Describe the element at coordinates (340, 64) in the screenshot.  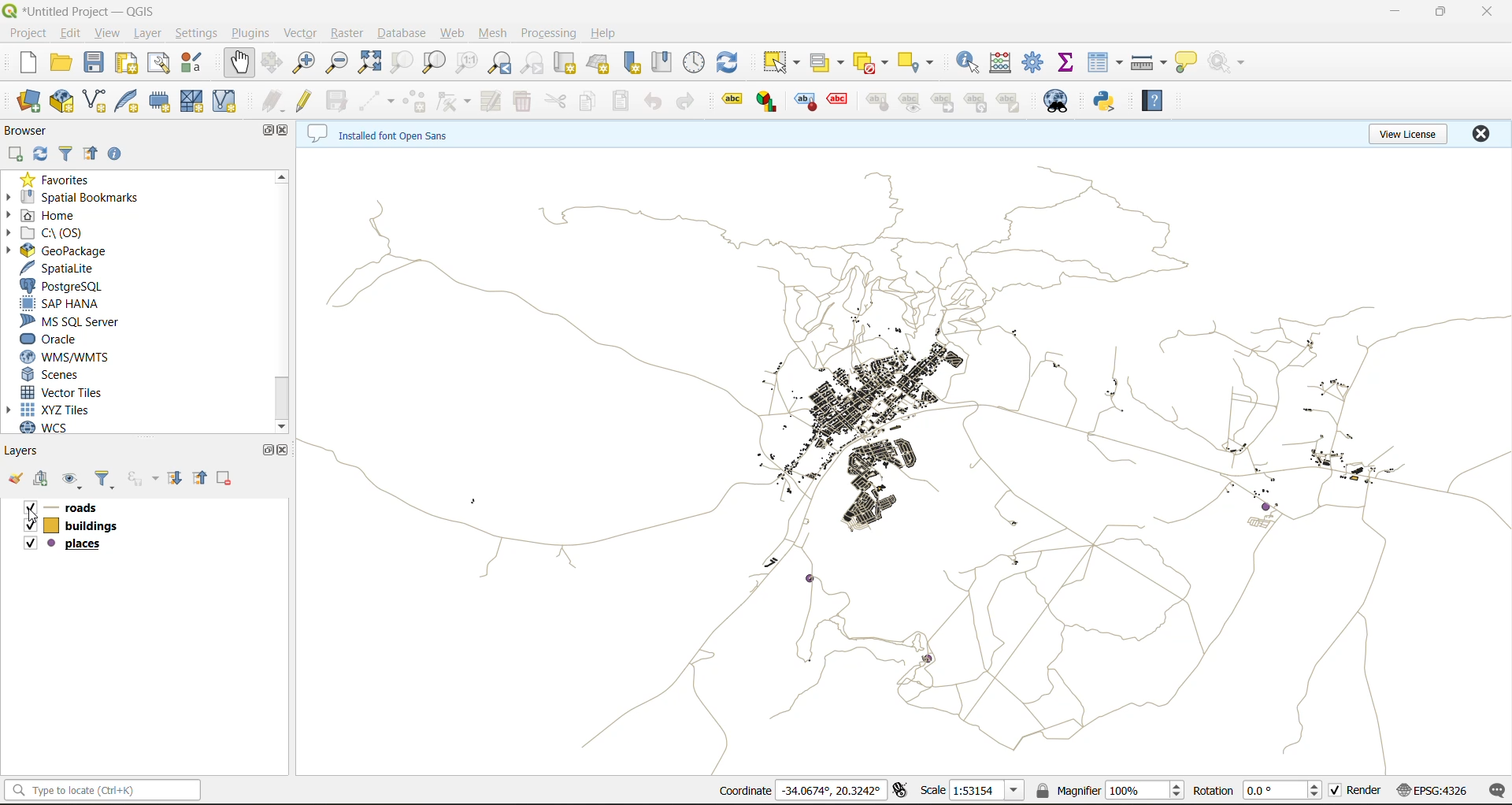
I see `zoom out` at that location.